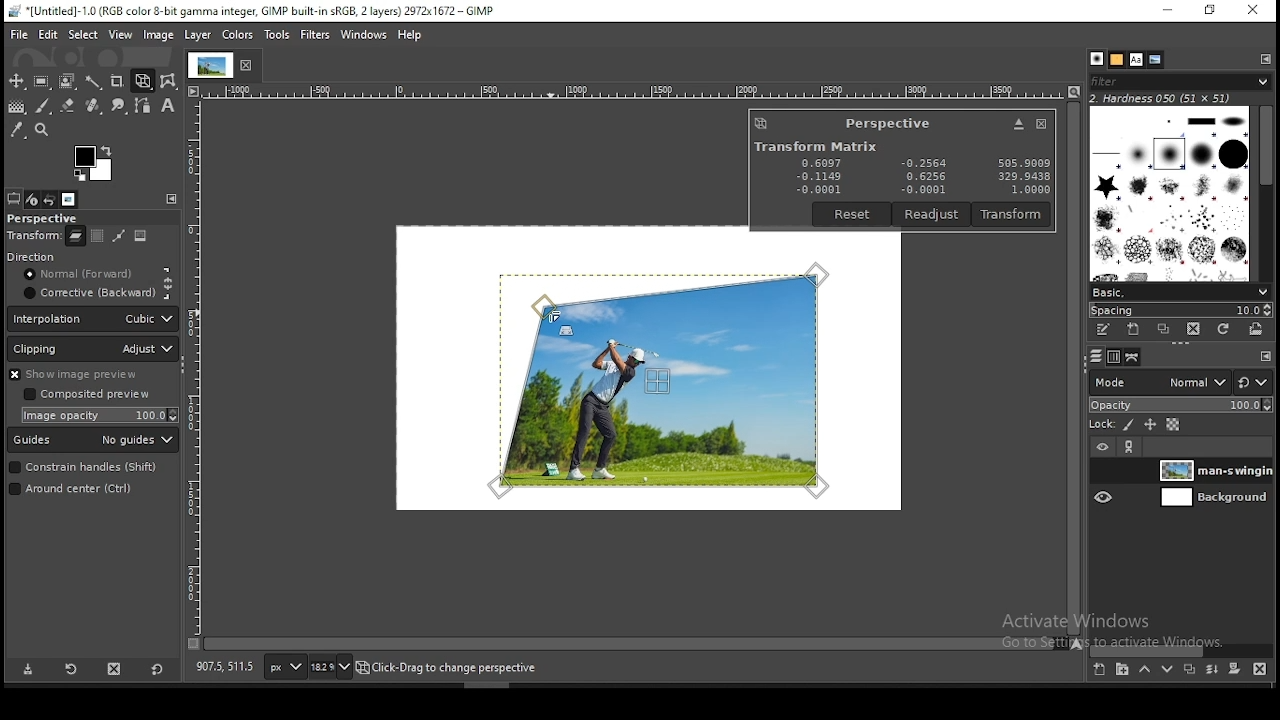  What do you see at coordinates (1181, 382) in the screenshot?
I see `blend mode` at bounding box center [1181, 382].